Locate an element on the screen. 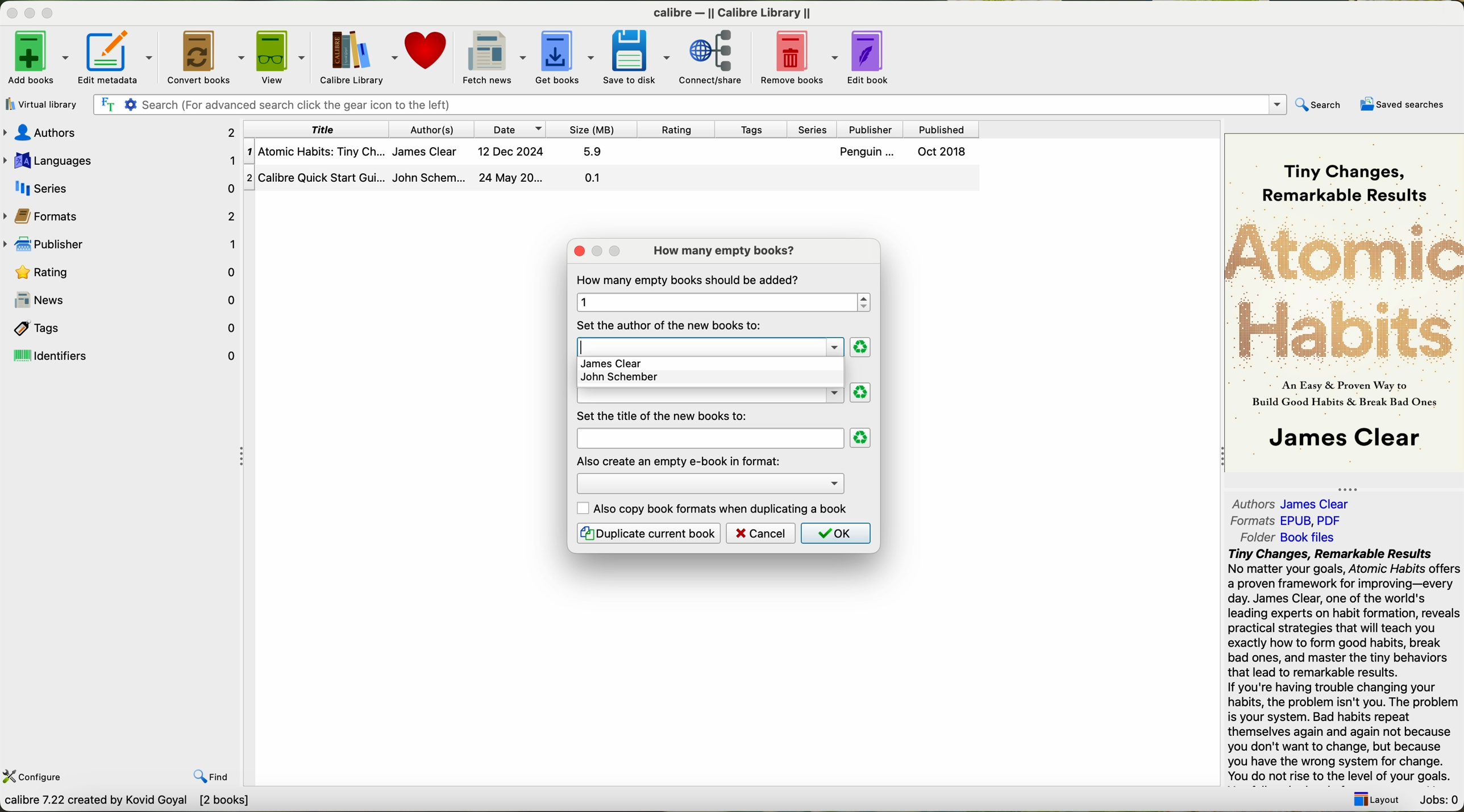 The height and width of the screenshot is (812, 1464). set the title of the new book is located at coordinates (666, 415).